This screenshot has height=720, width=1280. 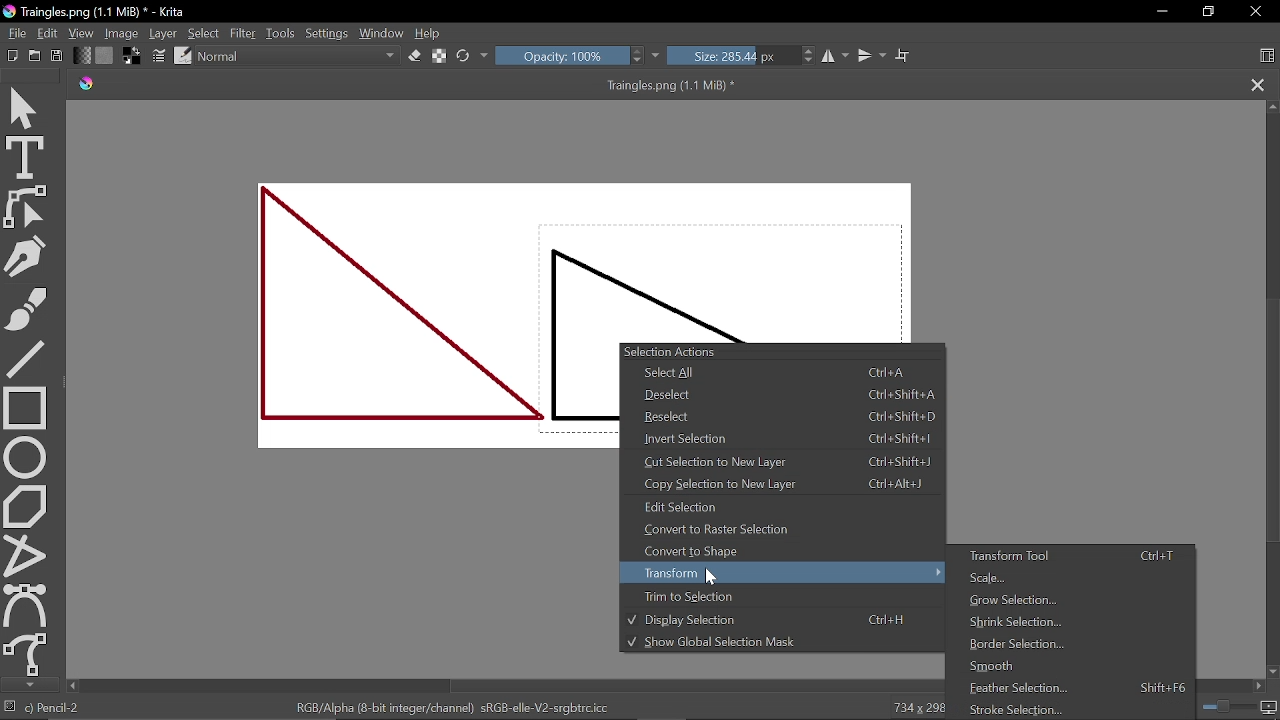 I want to click on Transform tool, so click(x=1069, y=557).